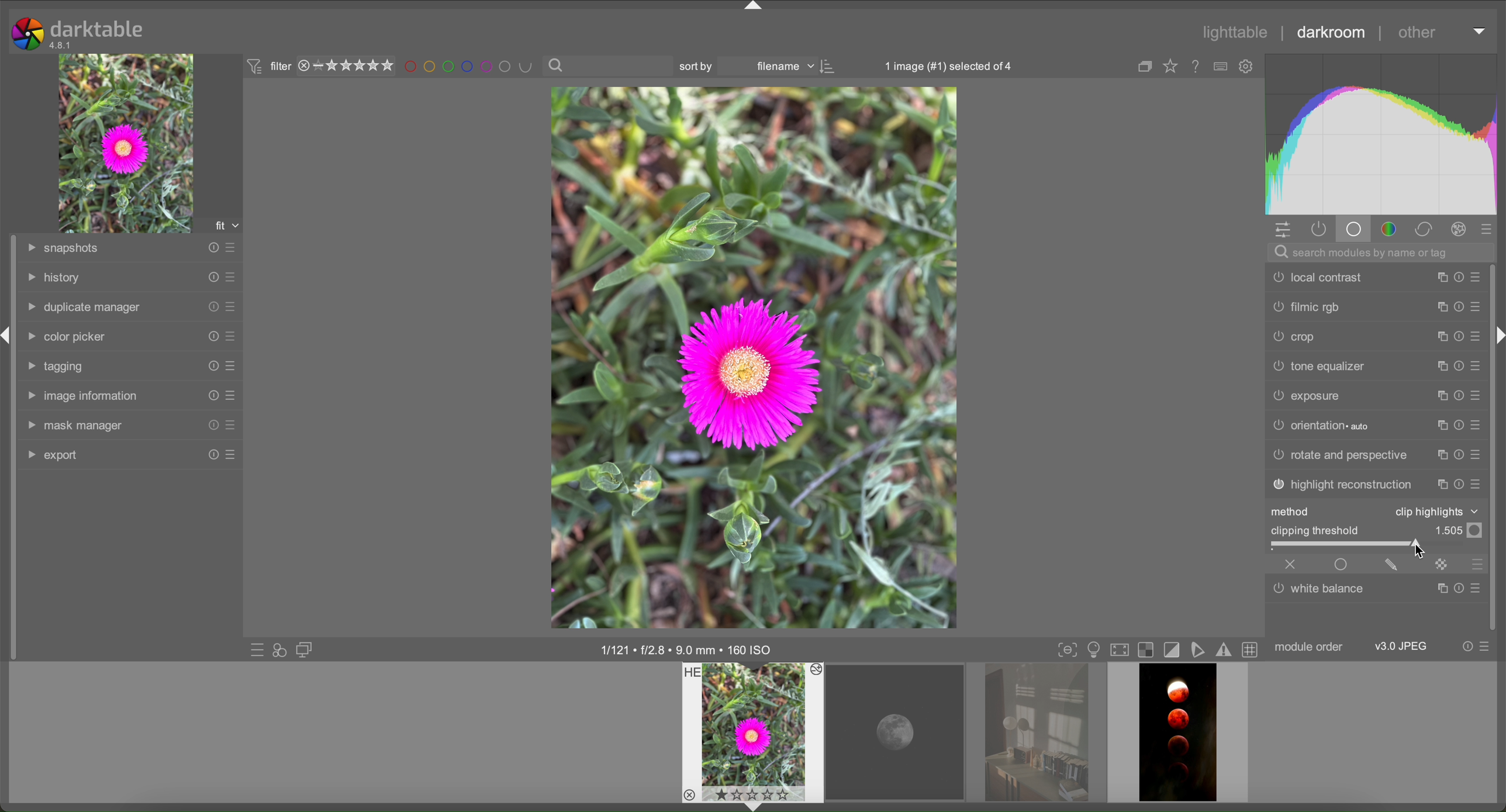  I want to click on duplicate manager tab, so click(84, 308).